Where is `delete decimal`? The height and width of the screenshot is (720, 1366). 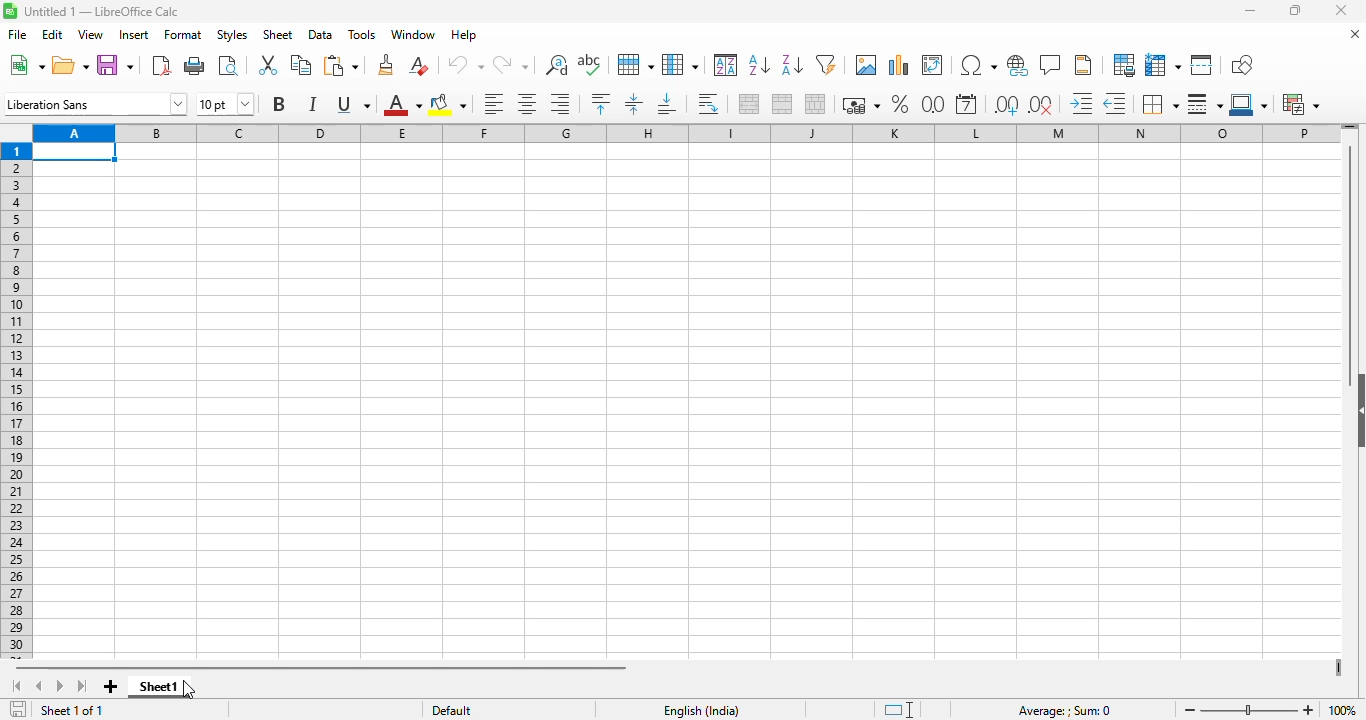 delete decimal is located at coordinates (1042, 104).